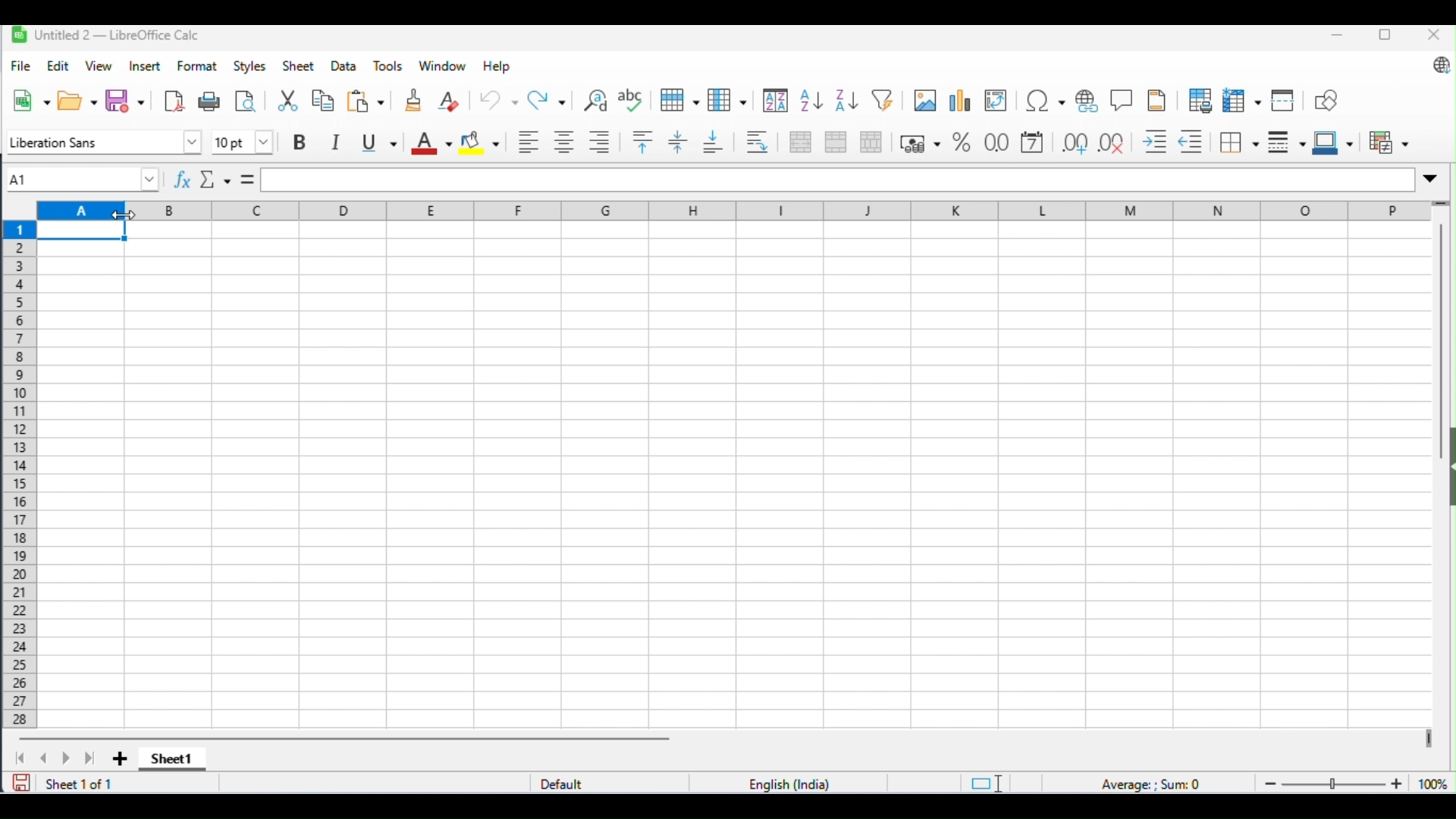 This screenshot has width=1456, height=819. I want to click on row, so click(679, 100).